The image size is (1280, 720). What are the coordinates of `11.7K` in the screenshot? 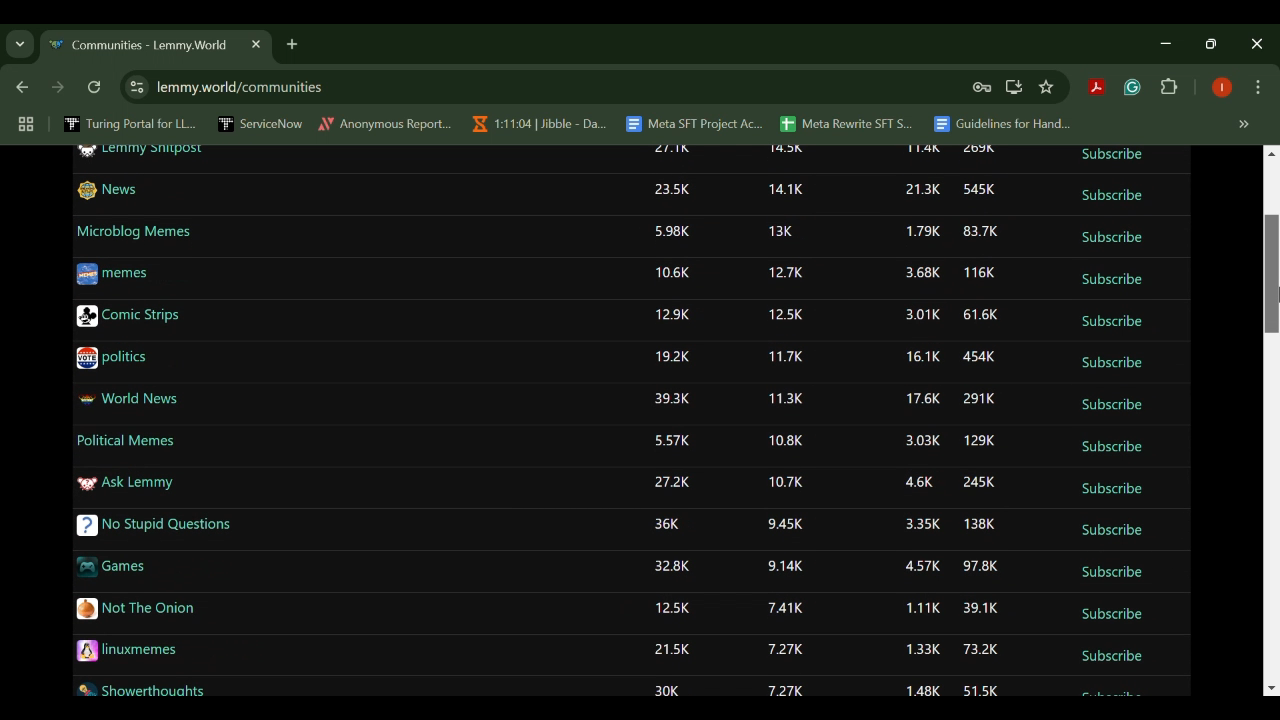 It's located at (784, 357).